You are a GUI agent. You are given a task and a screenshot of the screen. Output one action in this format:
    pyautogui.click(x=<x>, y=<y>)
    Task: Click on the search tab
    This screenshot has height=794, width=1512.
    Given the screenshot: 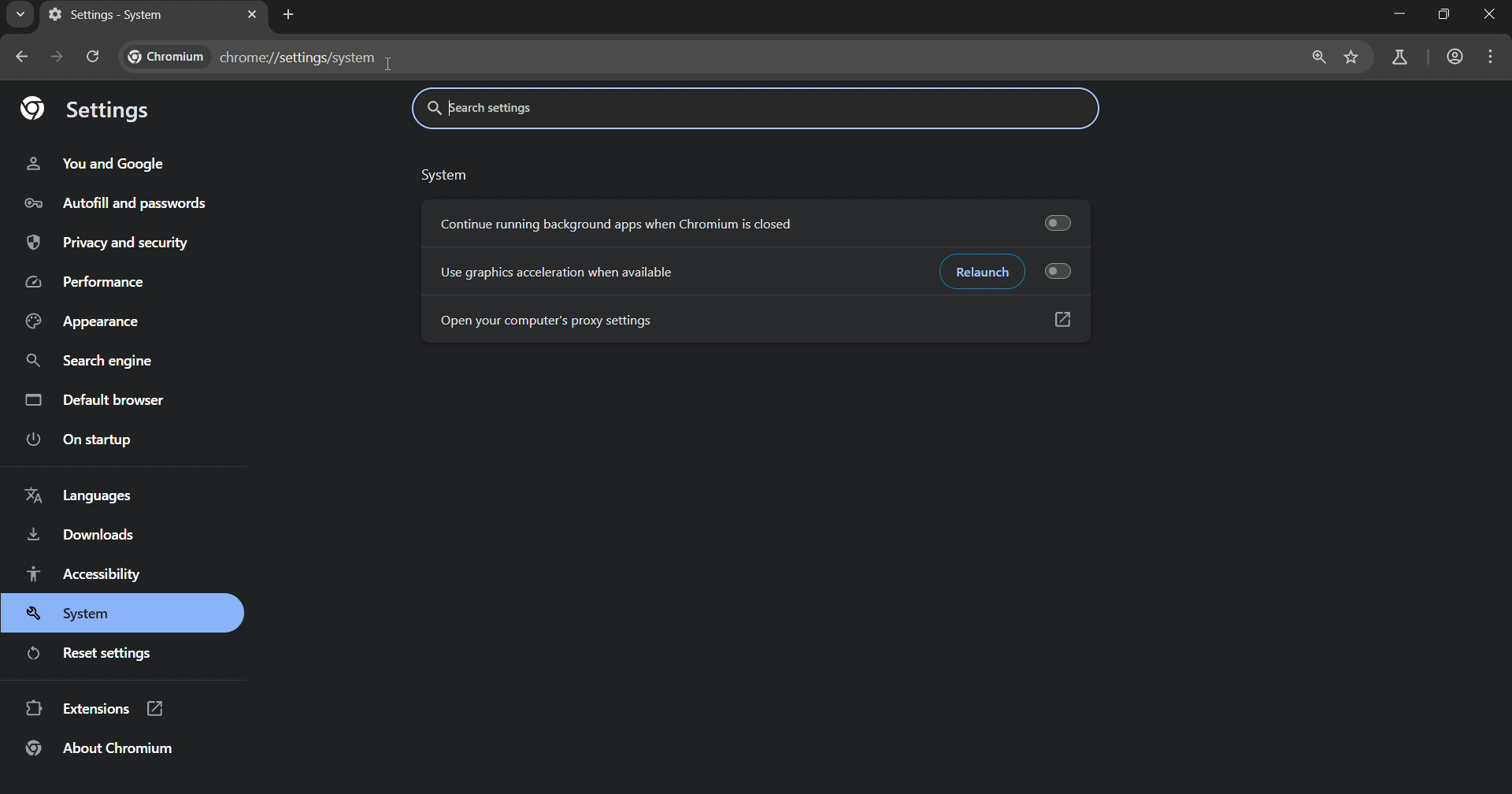 What is the action you would take?
    pyautogui.click(x=17, y=17)
    